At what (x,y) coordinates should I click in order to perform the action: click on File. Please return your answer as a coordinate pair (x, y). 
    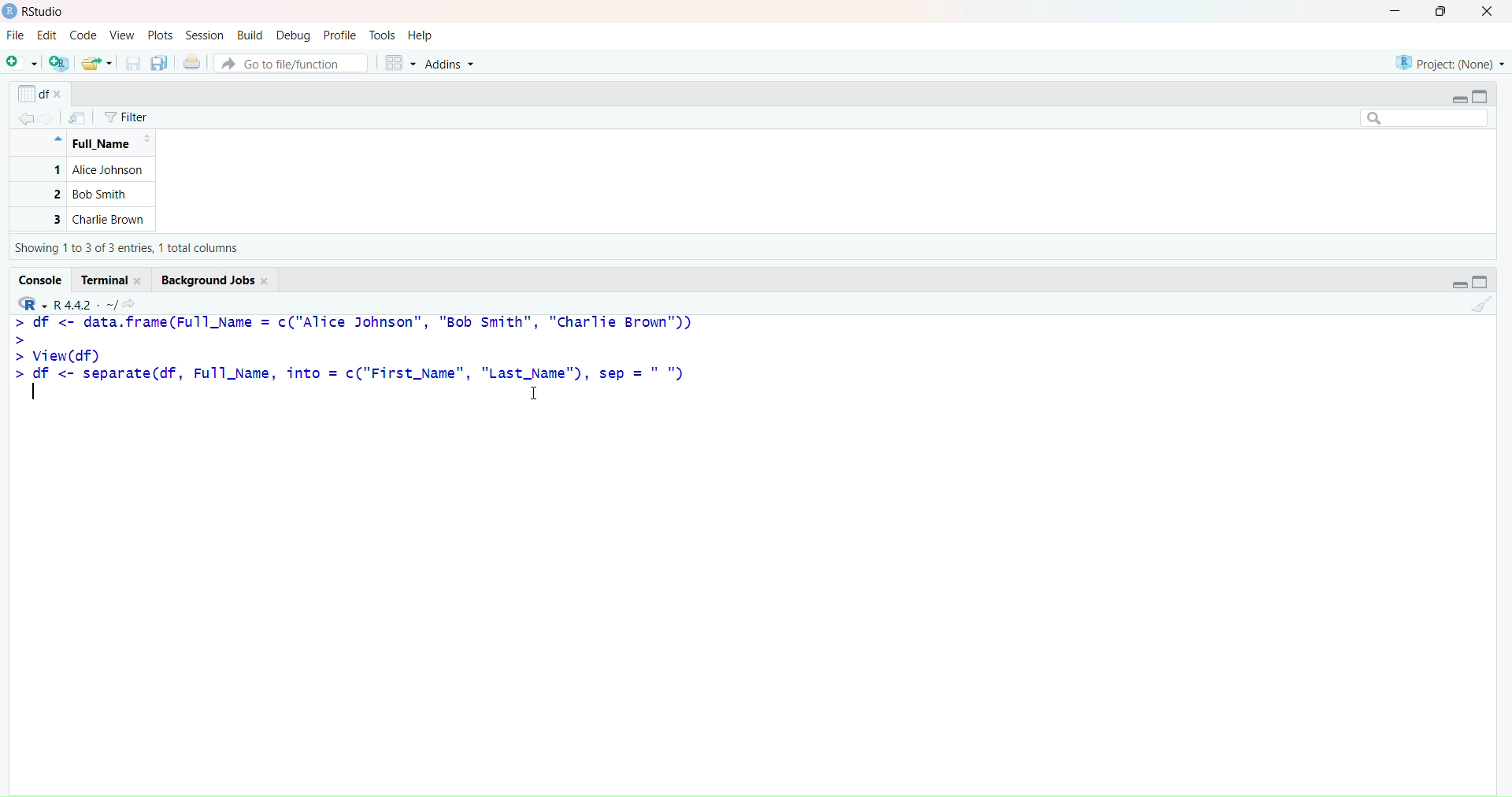
    Looking at the image, I should click on (17, 36).